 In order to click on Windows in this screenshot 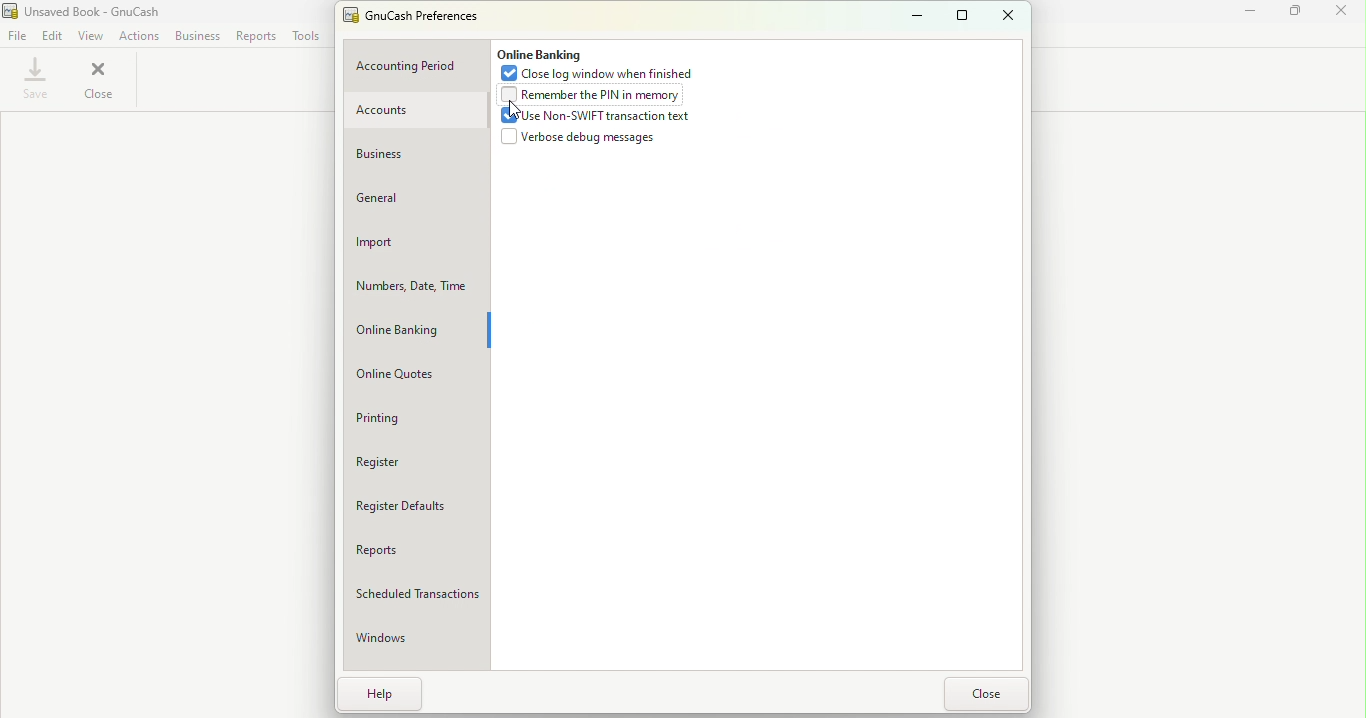, I will do `click(400, 642)`.